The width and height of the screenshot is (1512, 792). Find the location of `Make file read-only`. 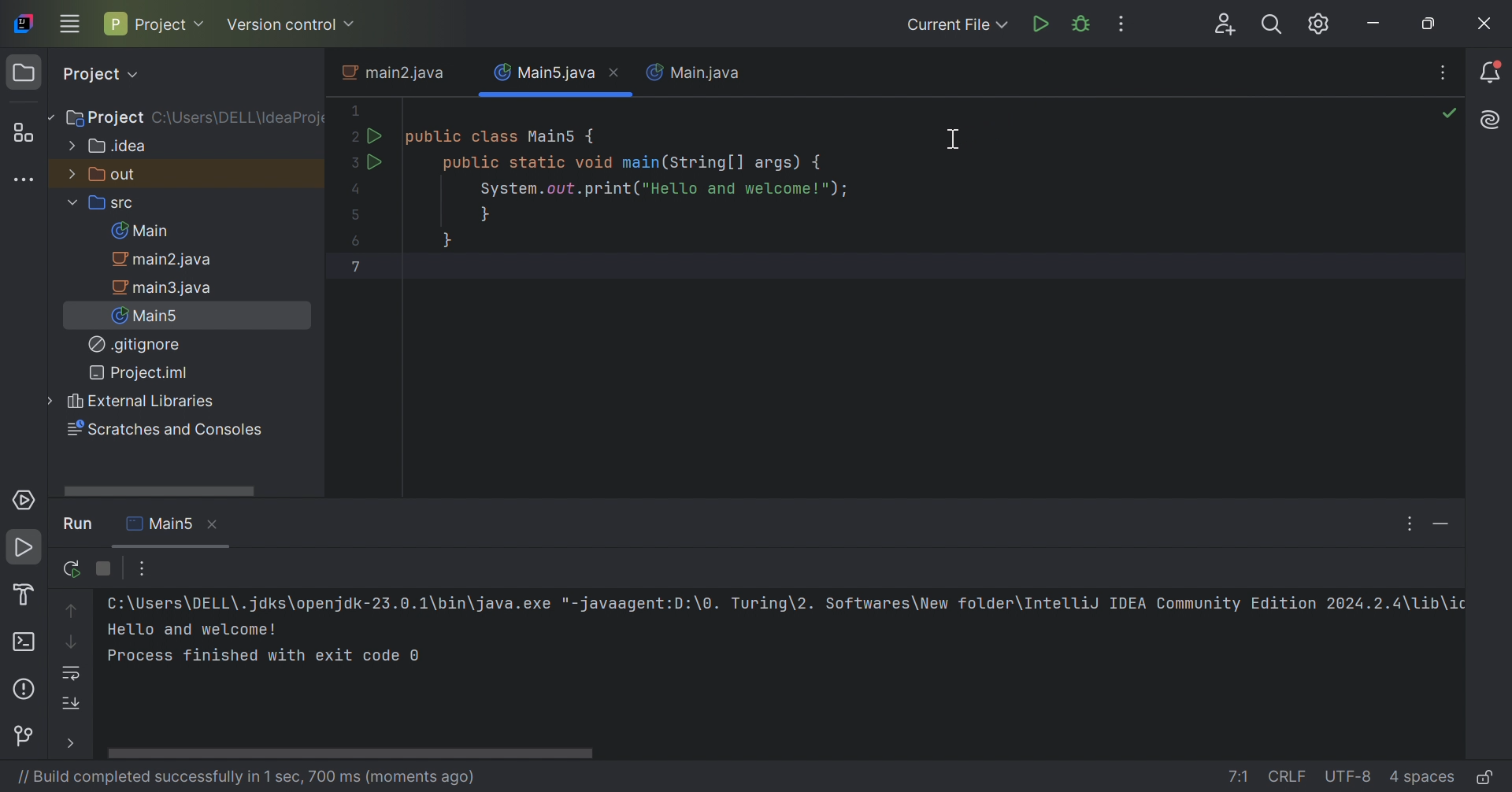

Make file read-only is located at coordinates (1484, 779).